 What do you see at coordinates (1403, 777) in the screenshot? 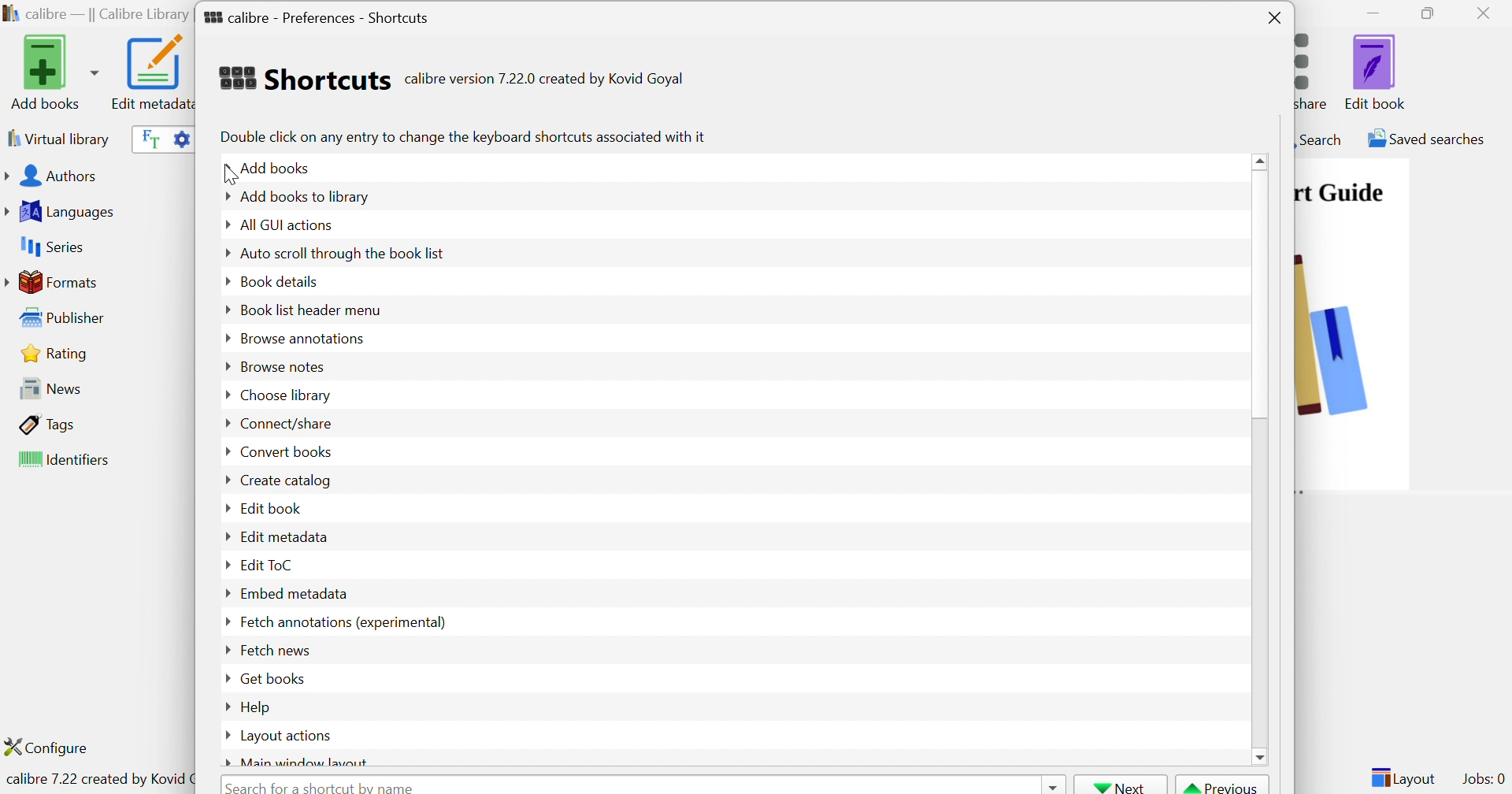
I see `Layout:0` at bounding box center [1403, 777].